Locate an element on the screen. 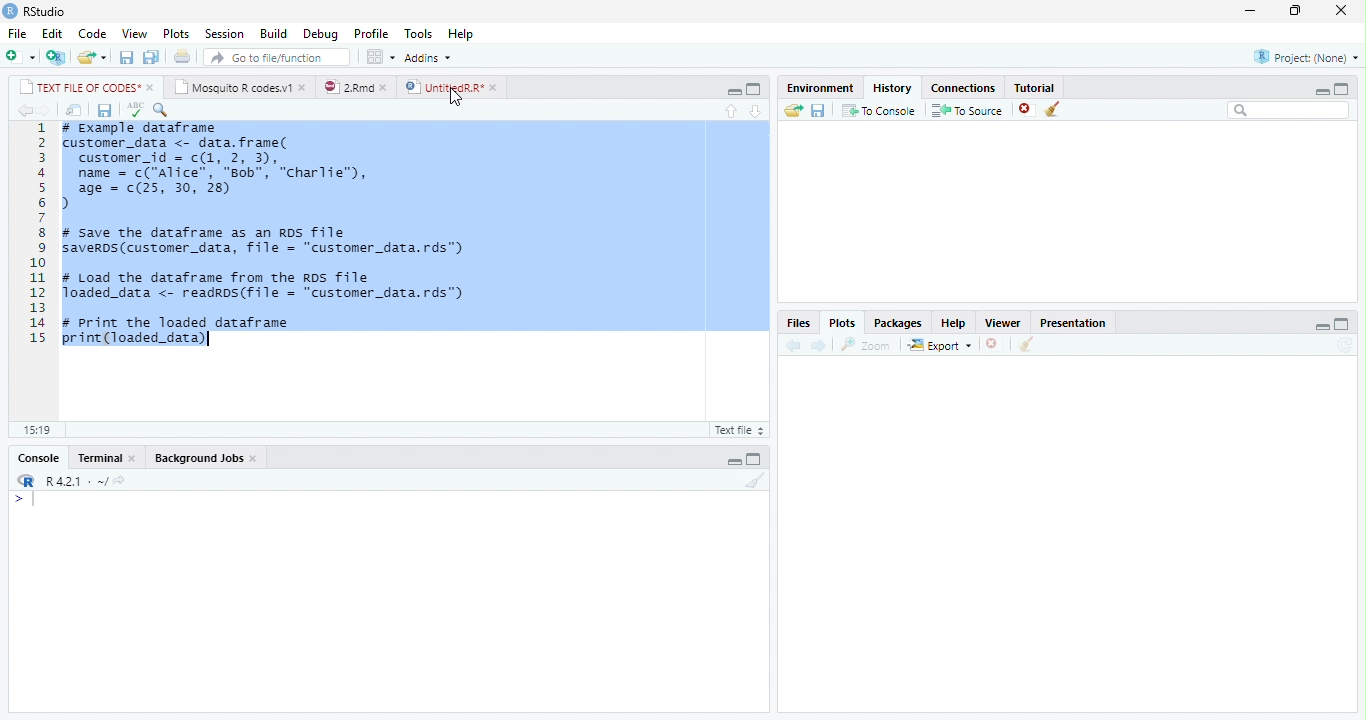 The height and width of the screenshot is (720, 1366). open folder is located at coordinates (794, 110).